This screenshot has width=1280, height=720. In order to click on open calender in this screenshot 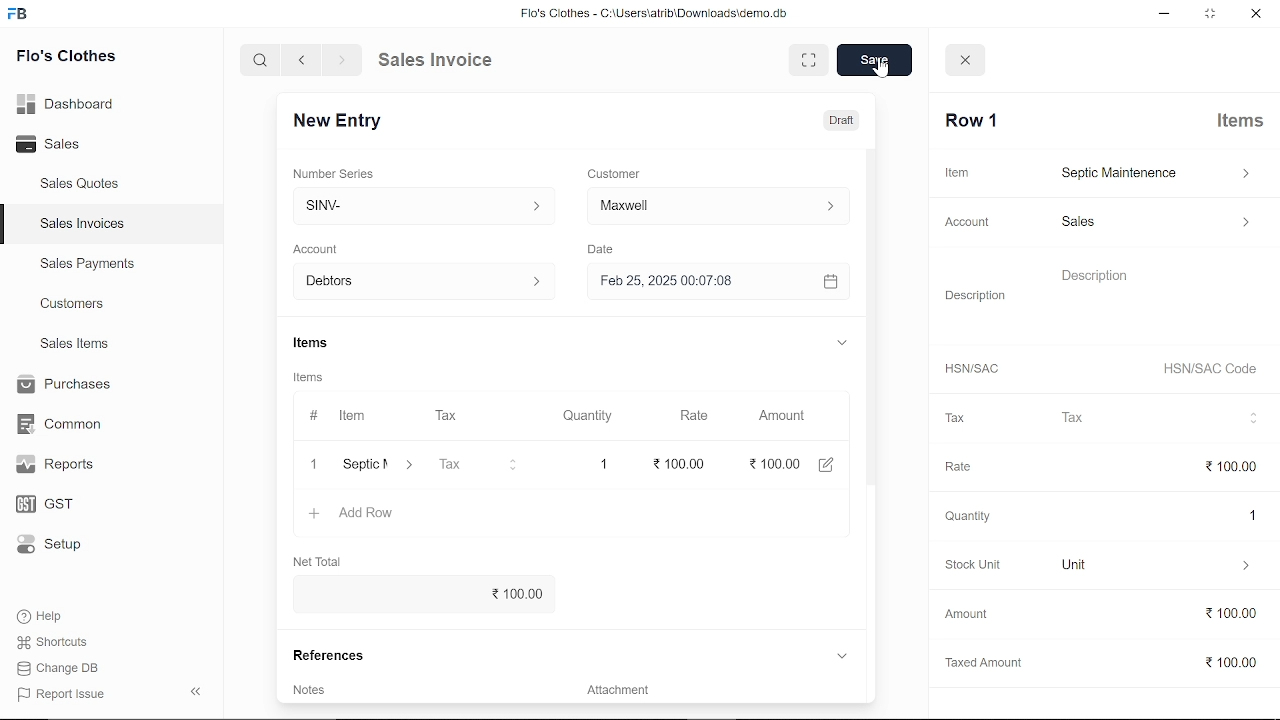, I will do `click(829, 281)`.